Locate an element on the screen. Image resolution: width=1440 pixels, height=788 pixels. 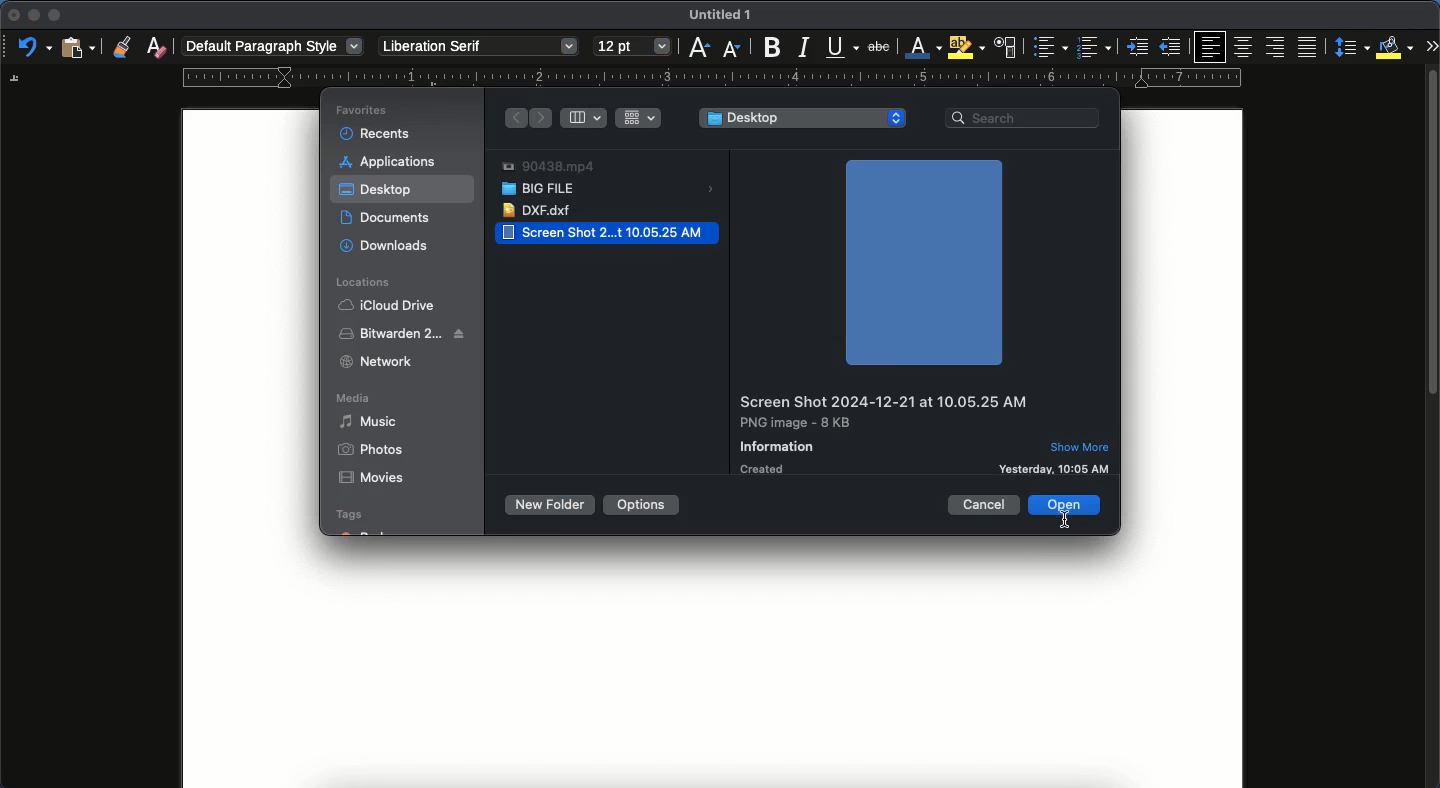
image is located at coordinates (609, 233).